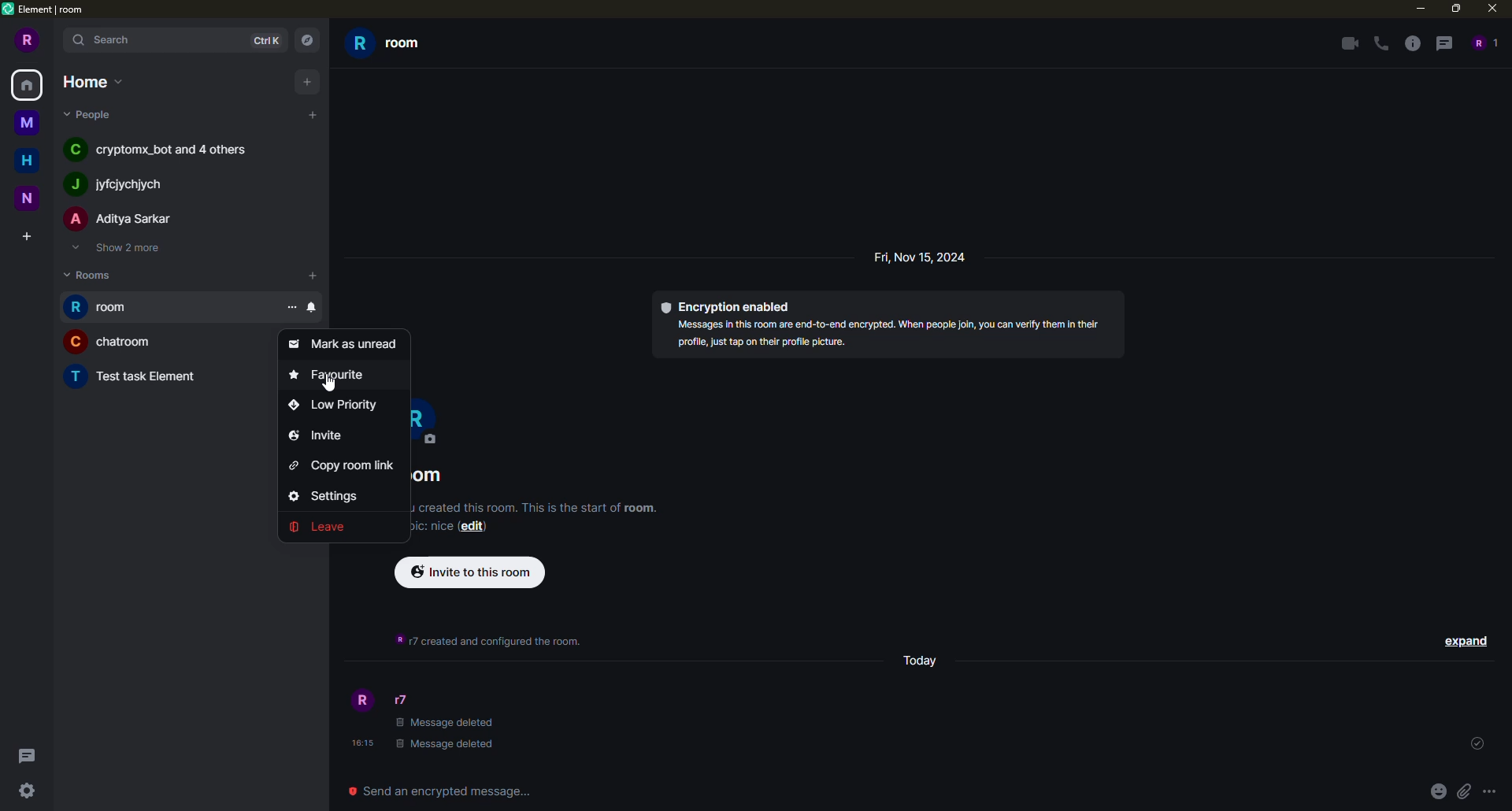  Describe the element at coordinates (405, 46) in the screenshot. I see `r room` at that location.